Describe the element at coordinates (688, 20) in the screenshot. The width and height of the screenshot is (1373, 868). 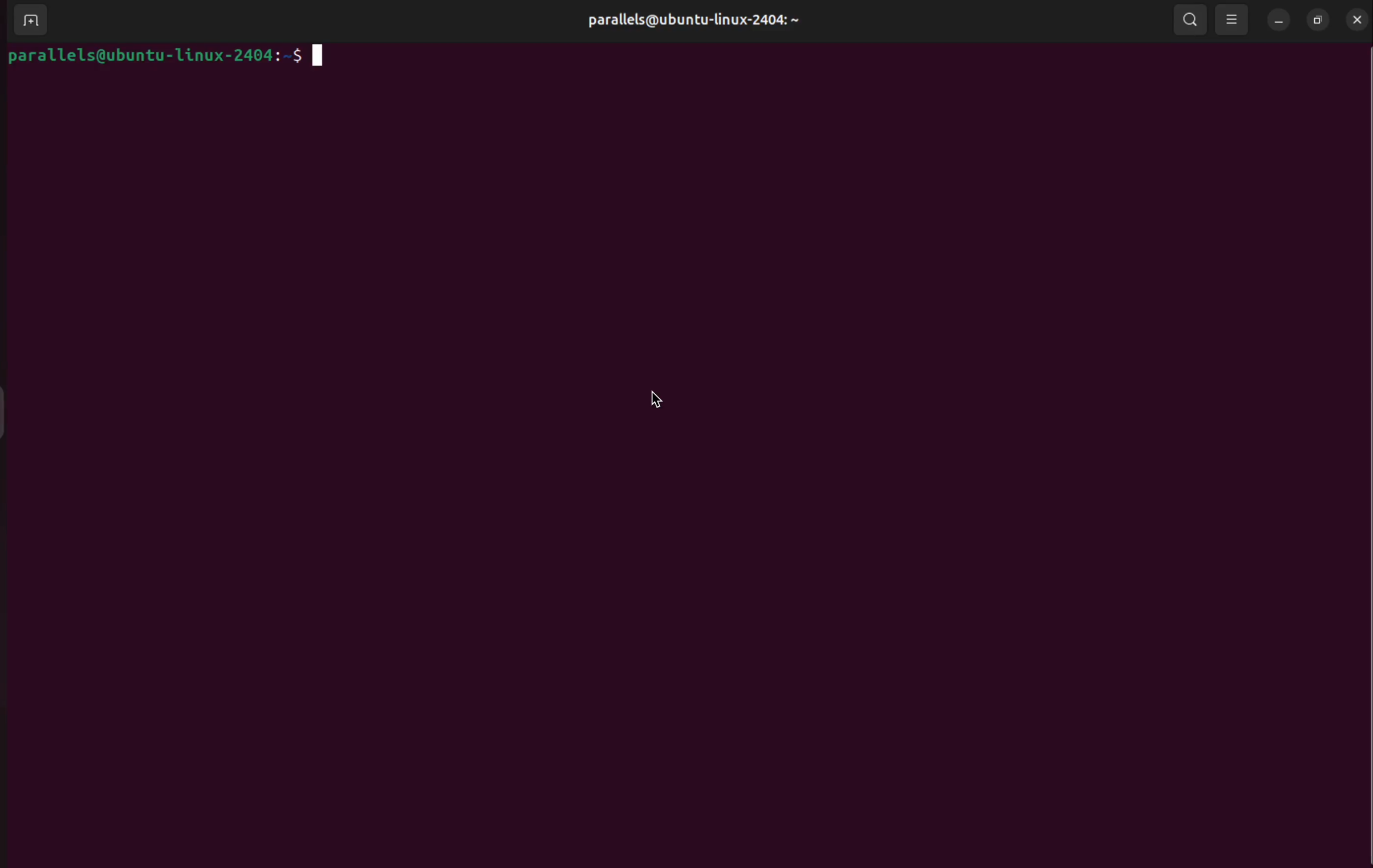
I see `parallels username` at that location.